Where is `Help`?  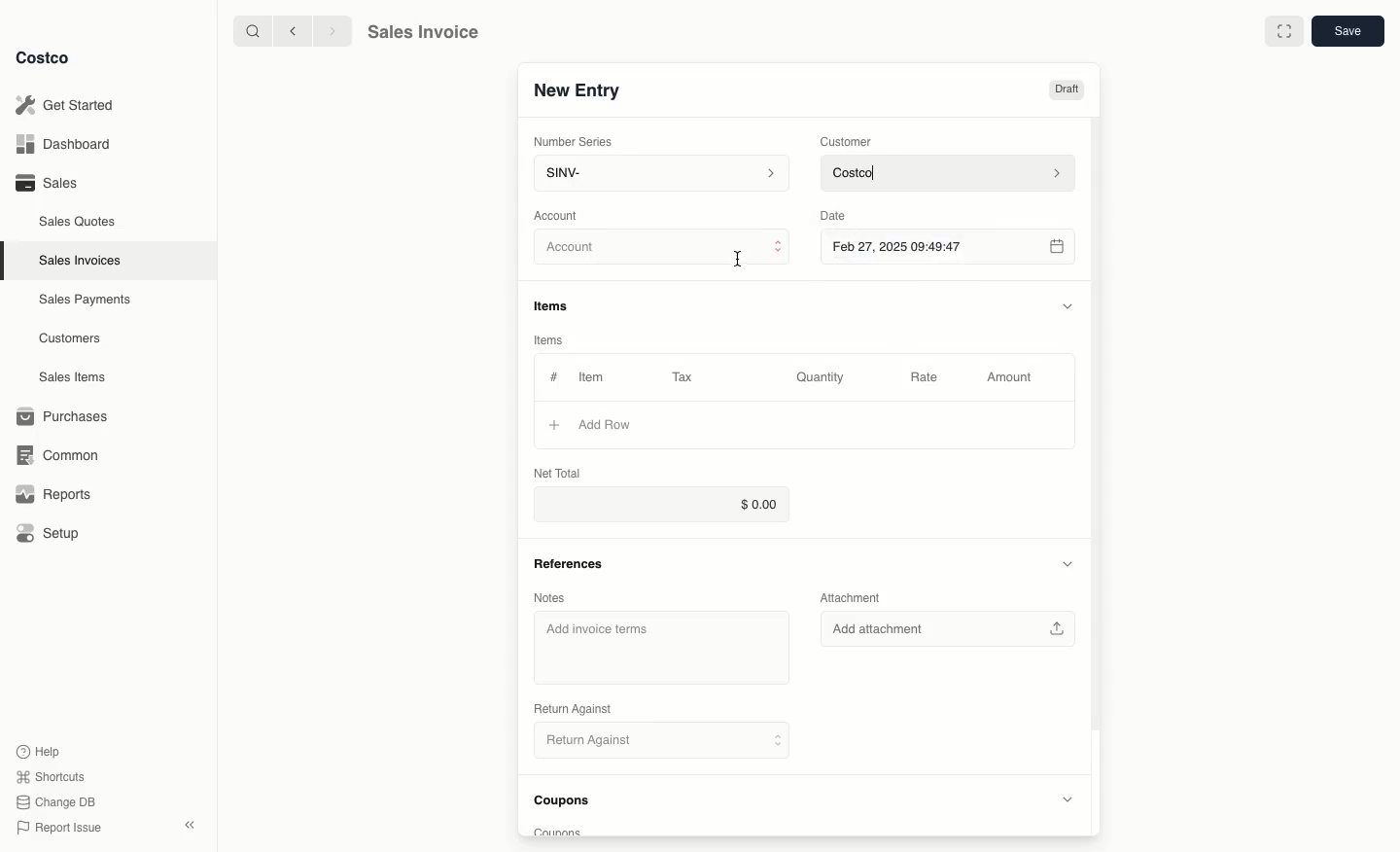
Help is located at coordinates (40, 750).